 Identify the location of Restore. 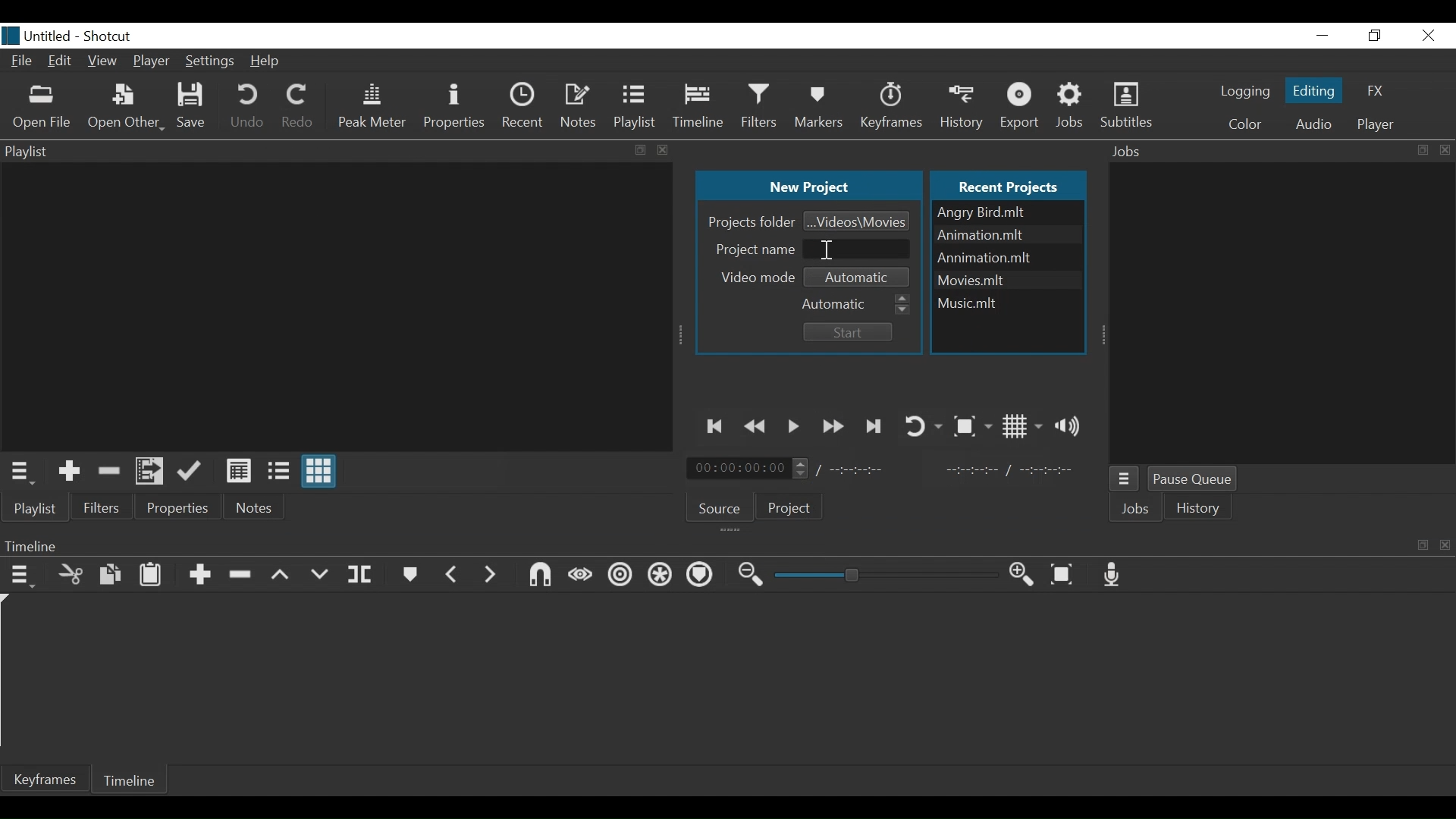
(1376, 35).